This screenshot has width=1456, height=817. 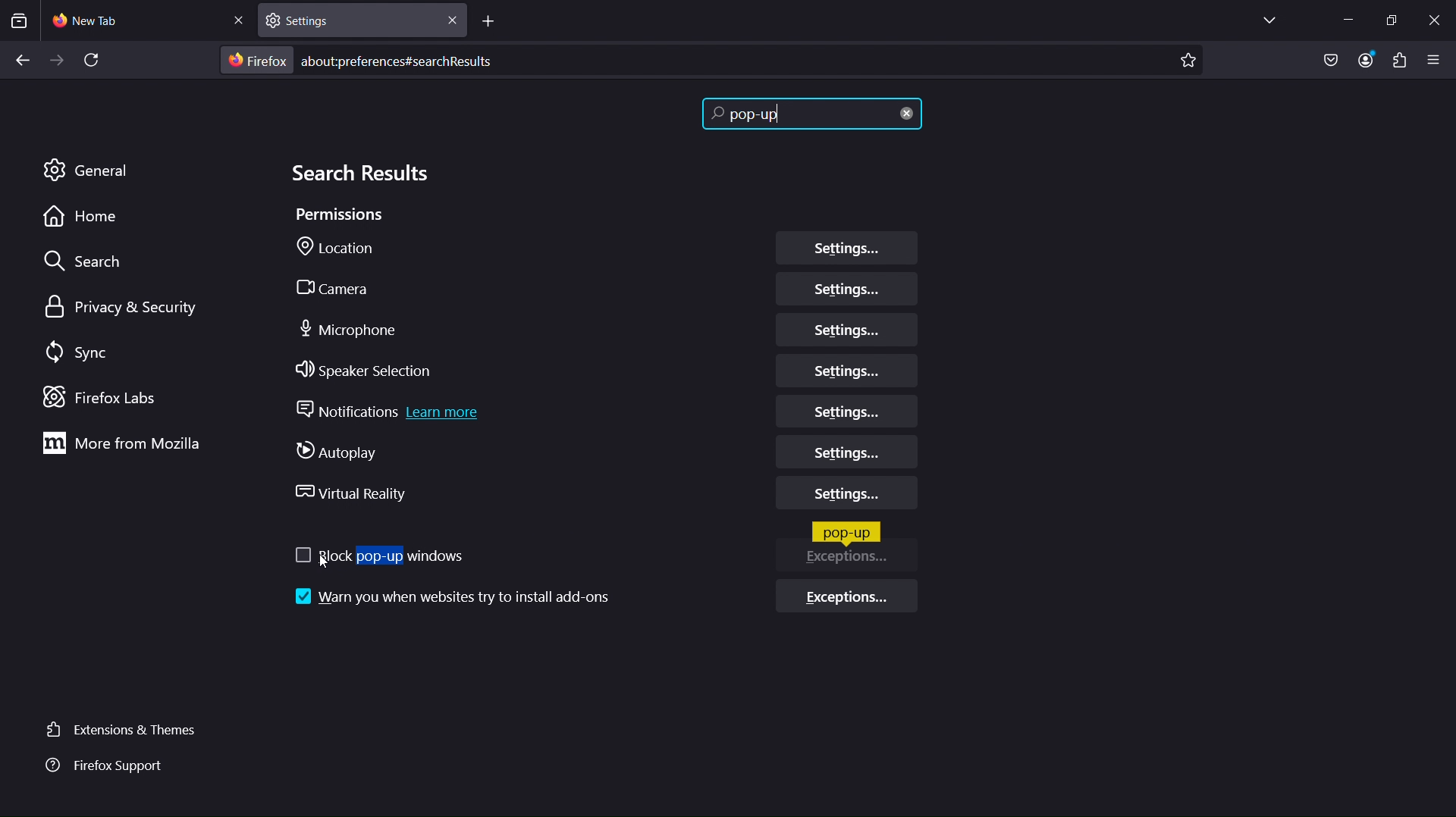 I want to click on Minimize, so click(x=1345, y=20).